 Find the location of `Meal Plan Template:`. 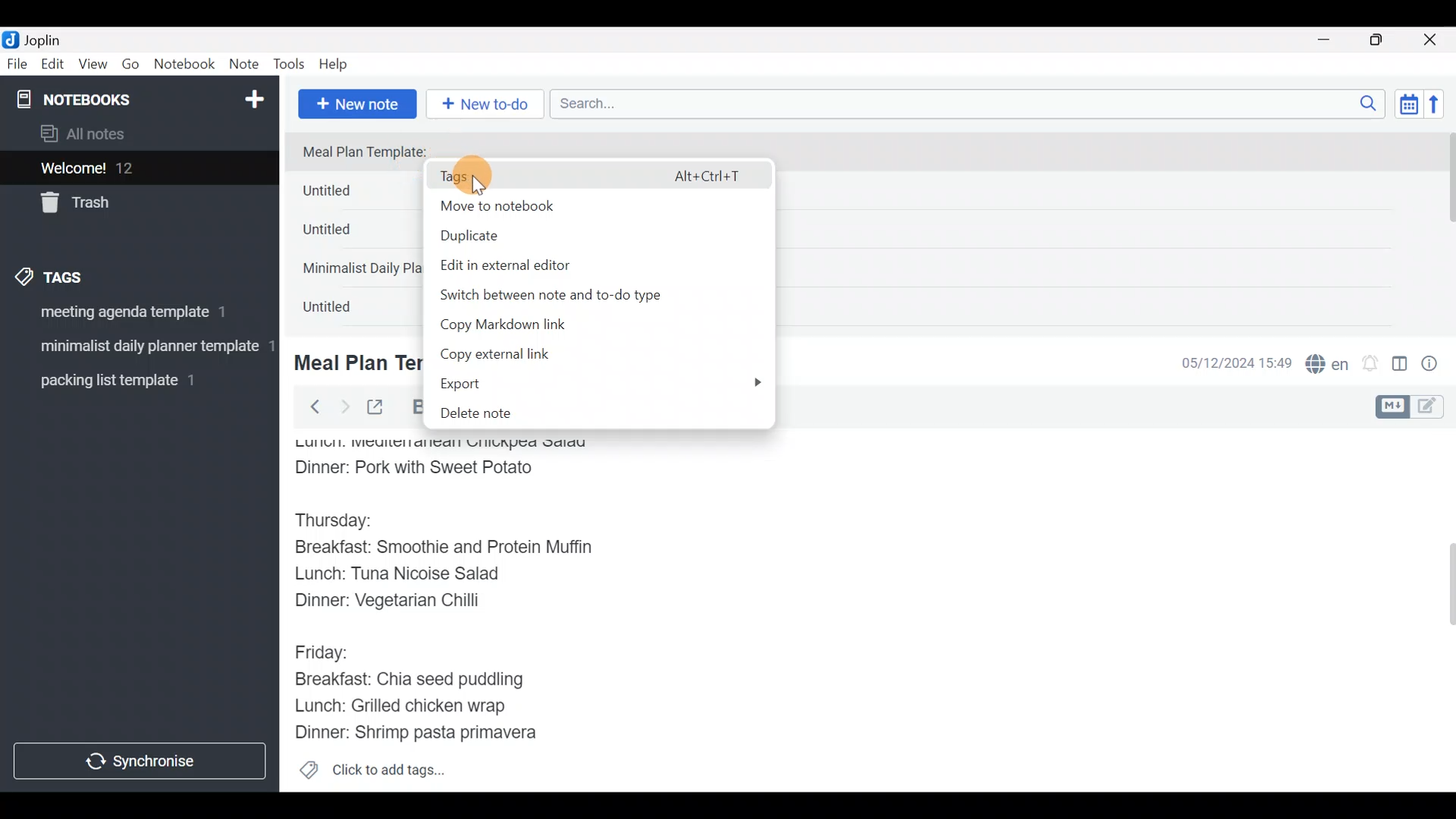

Meal Plan Template: is located at coordinates (374, 152).